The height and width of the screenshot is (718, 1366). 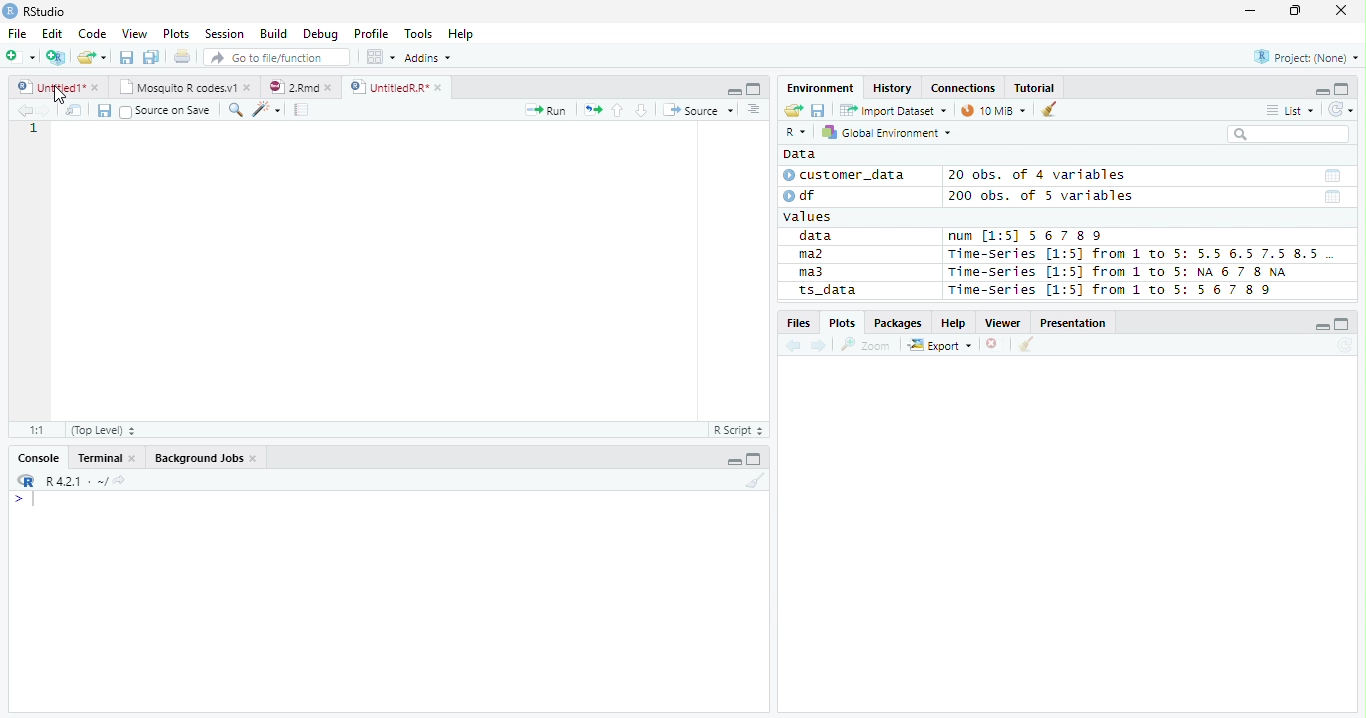 I want to click on File, so click(x=16, y=33).